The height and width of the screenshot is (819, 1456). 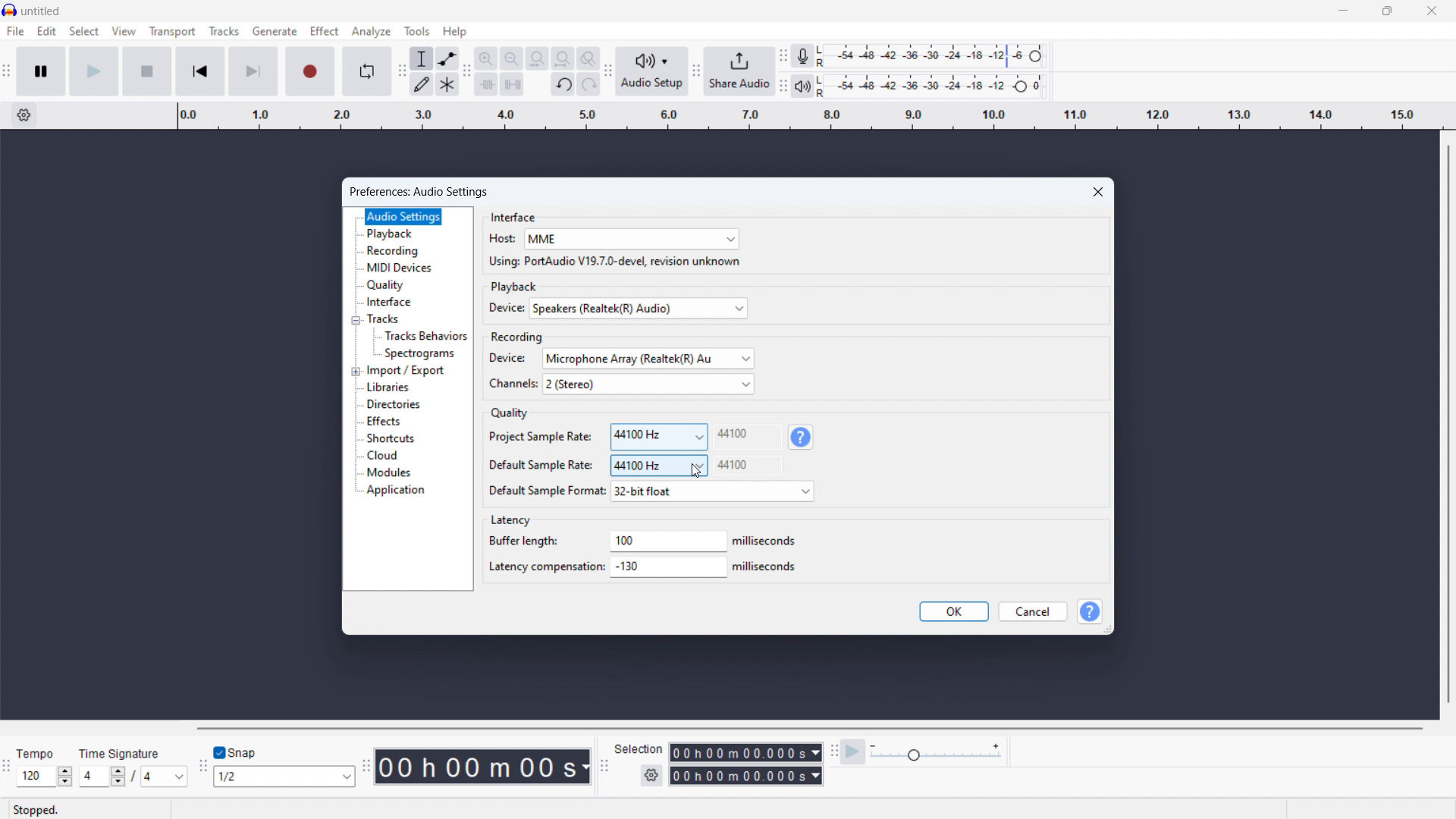 I want to click on cloud, so click(x=382, y=456).